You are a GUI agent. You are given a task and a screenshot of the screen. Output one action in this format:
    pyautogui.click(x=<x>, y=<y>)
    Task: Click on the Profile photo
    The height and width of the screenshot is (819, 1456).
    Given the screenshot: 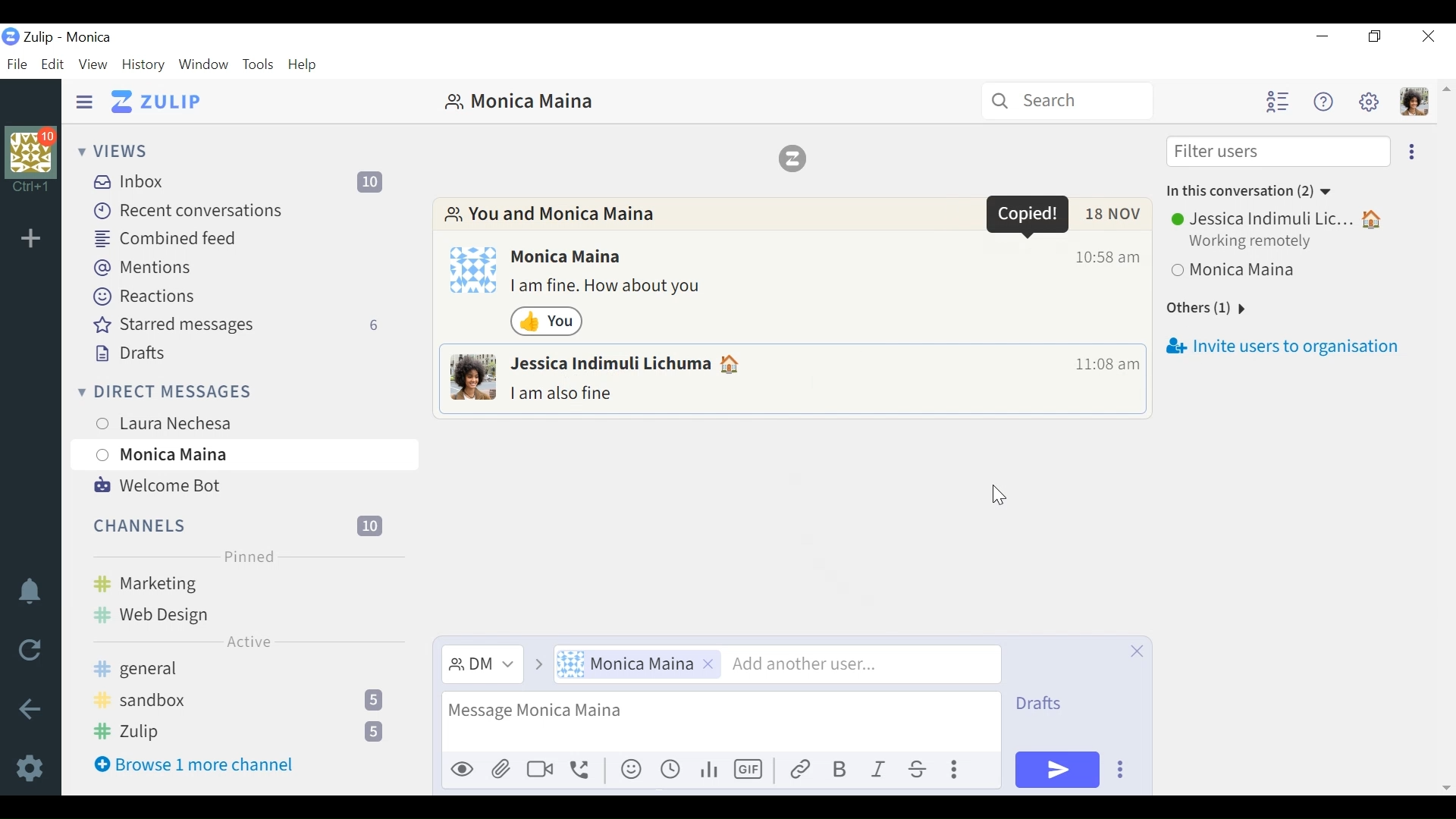 What is the action you would take?
    pyautogui.click(x=472, y=378)
    